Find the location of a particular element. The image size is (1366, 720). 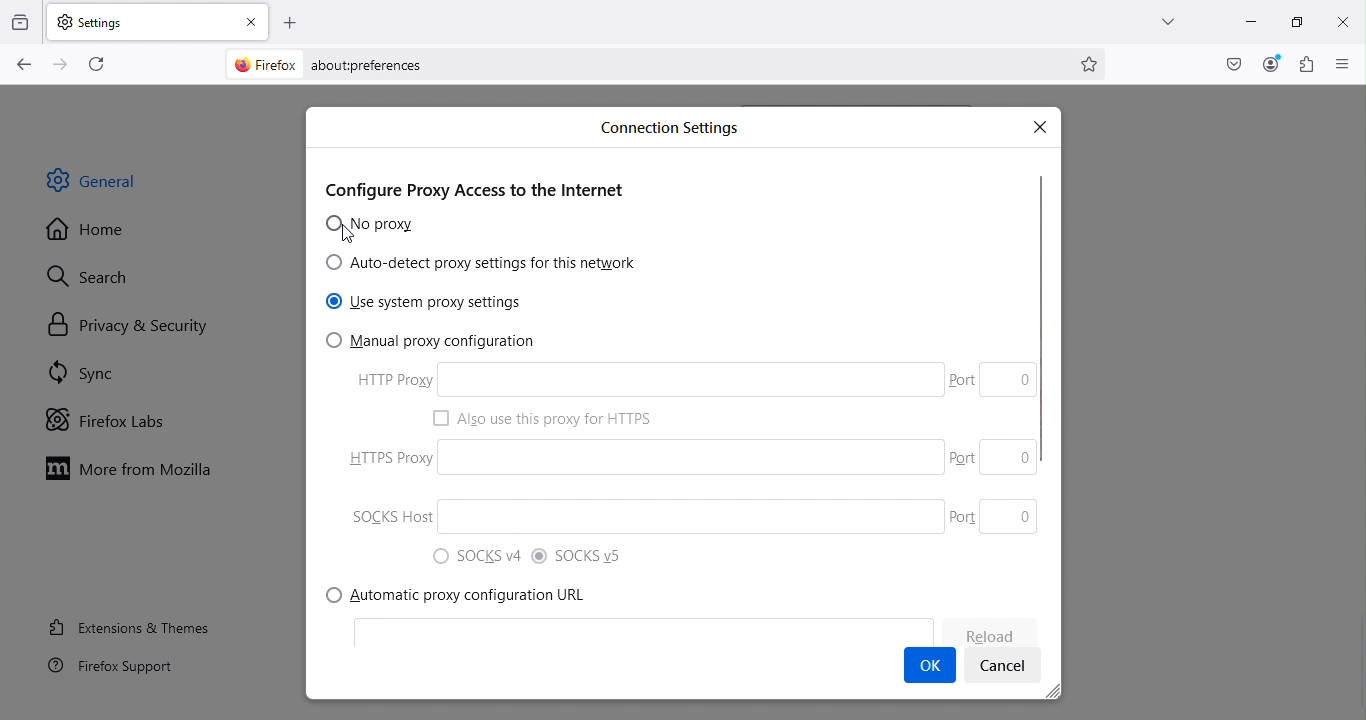

Address bar is located at coordinates (637, 62).